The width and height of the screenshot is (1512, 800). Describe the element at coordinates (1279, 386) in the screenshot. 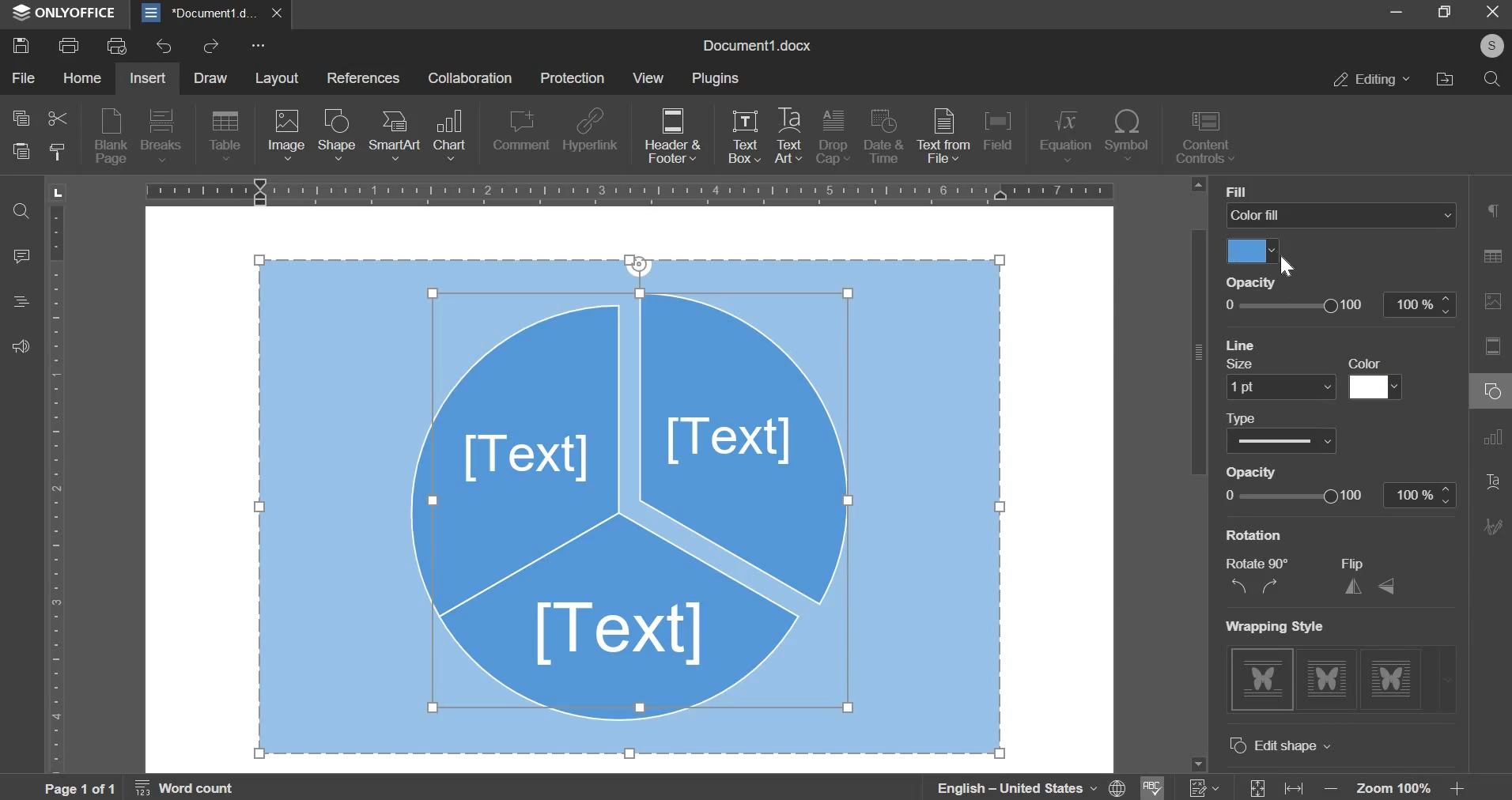

I see `line size` at that location.